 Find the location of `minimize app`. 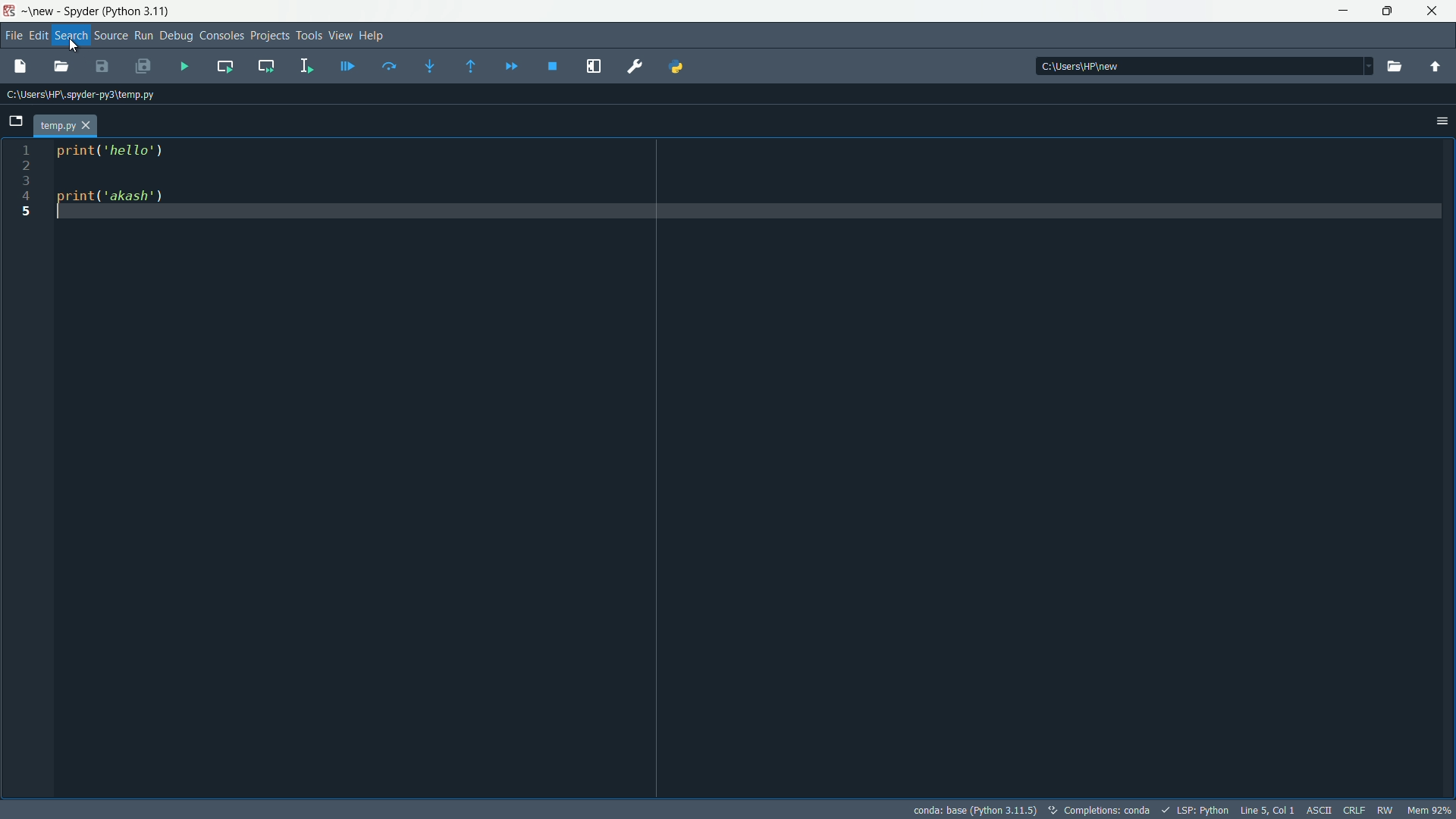

minimize app is located at coordinates (1342, 11).